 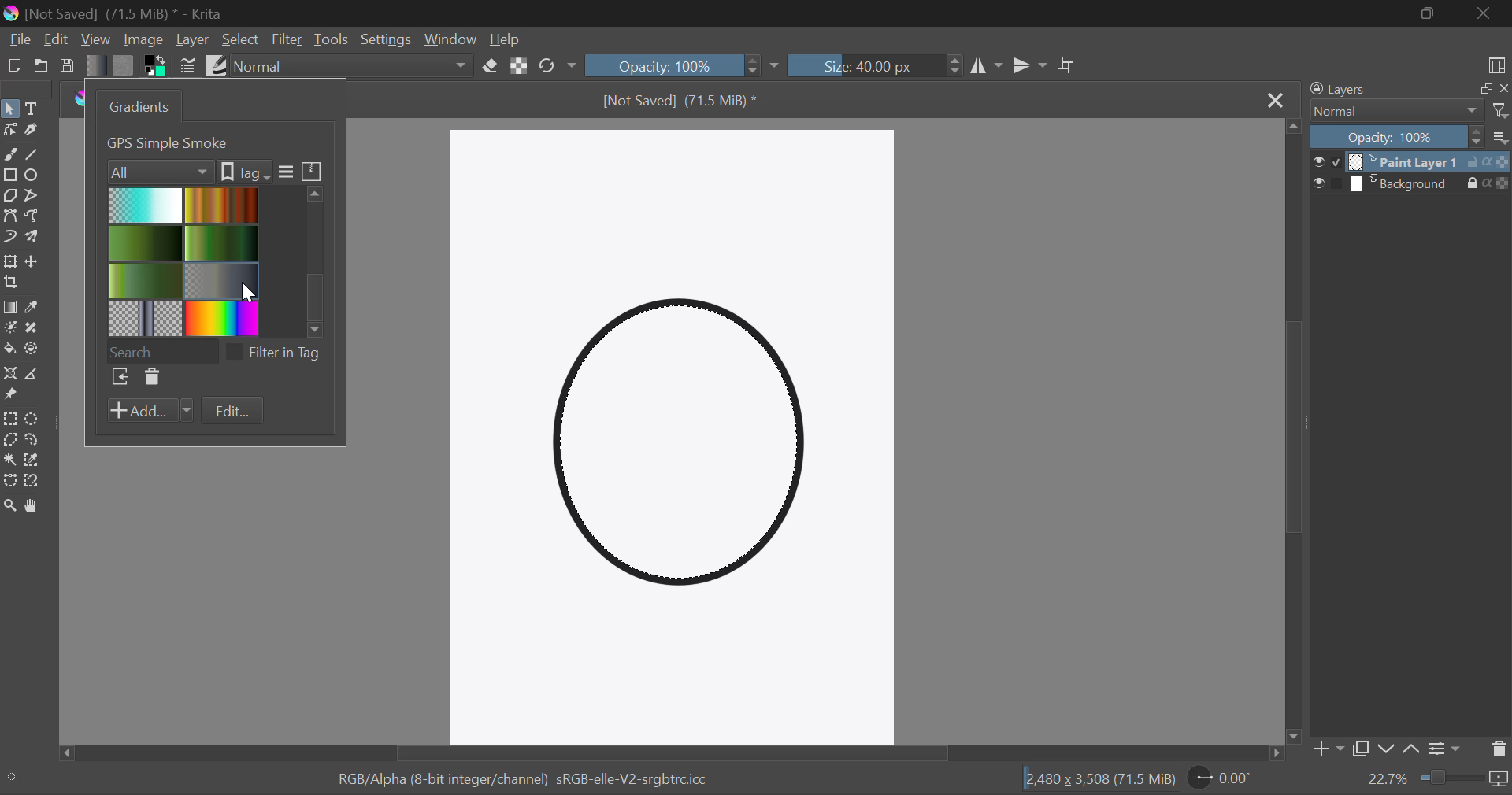 What do you see at coordinates (988, 66) in the screenshot?
I see `Vertical Mirror Flip` at bounding box center [988, 66].